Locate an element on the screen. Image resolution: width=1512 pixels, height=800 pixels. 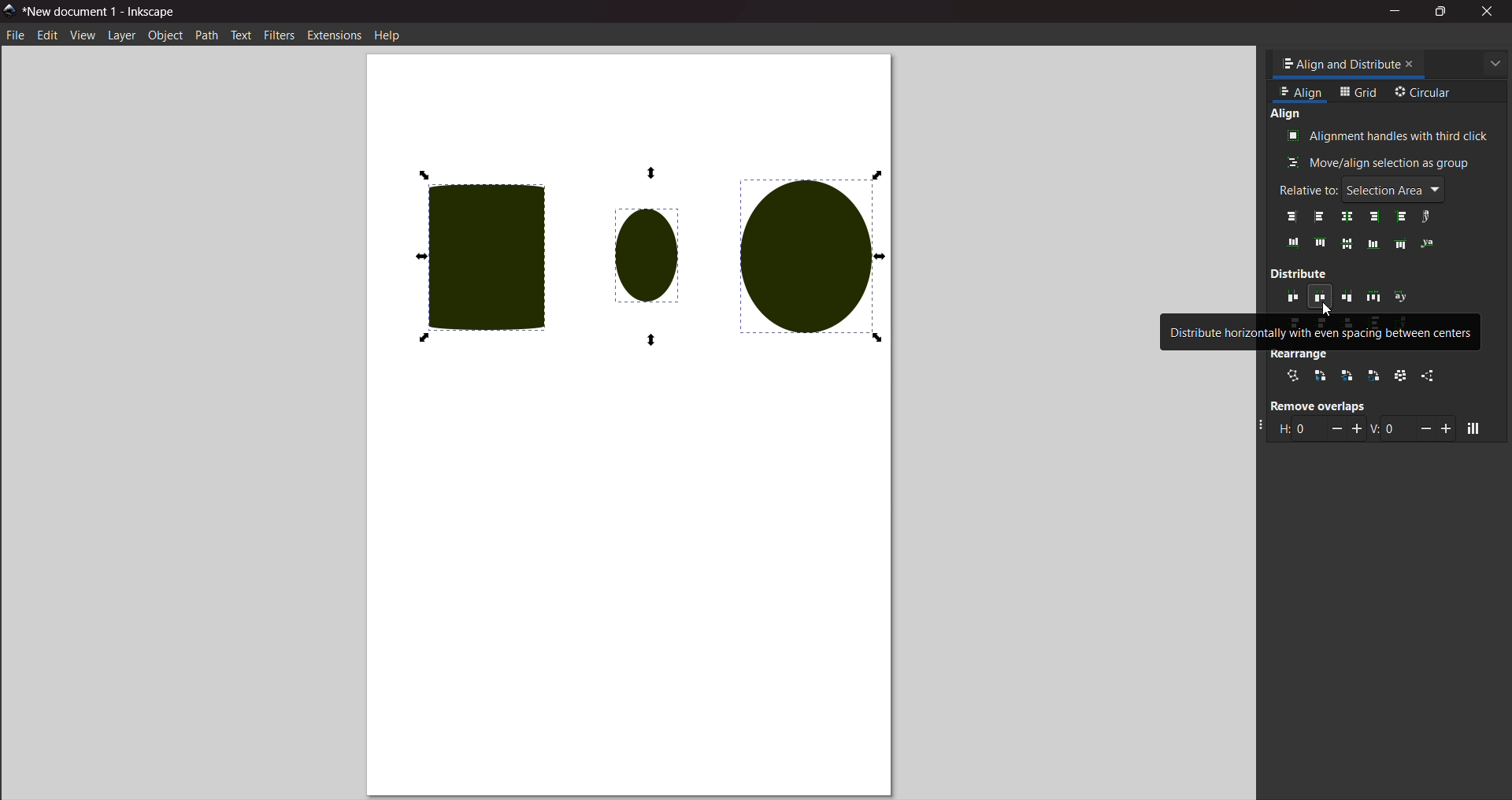
randomize is located at coordinates (1401, 376).